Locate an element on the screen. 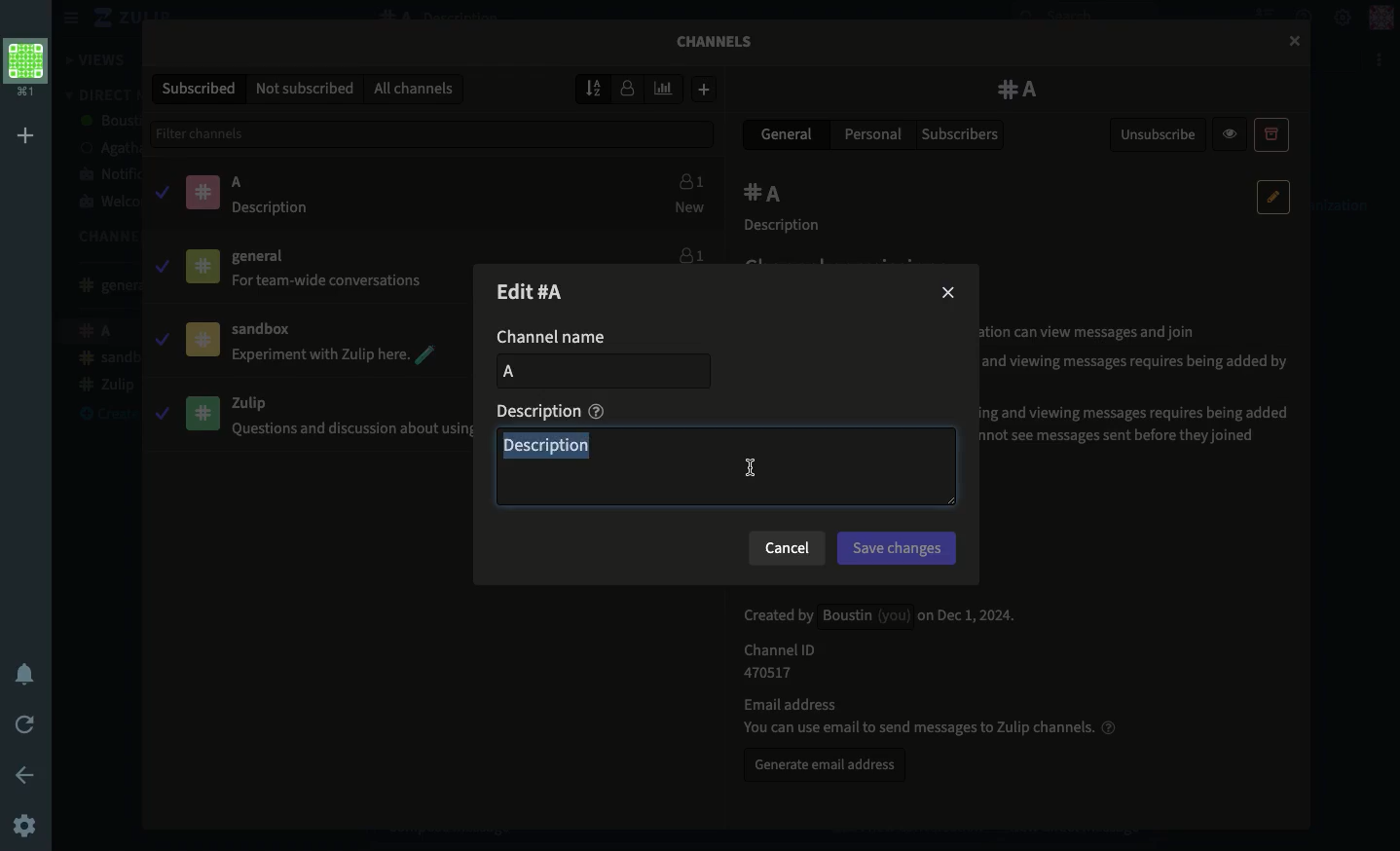 Image resolution: width=1400 pixels, height=851 pixels. Unsubscribe  is located at coordinates (1160, 135).